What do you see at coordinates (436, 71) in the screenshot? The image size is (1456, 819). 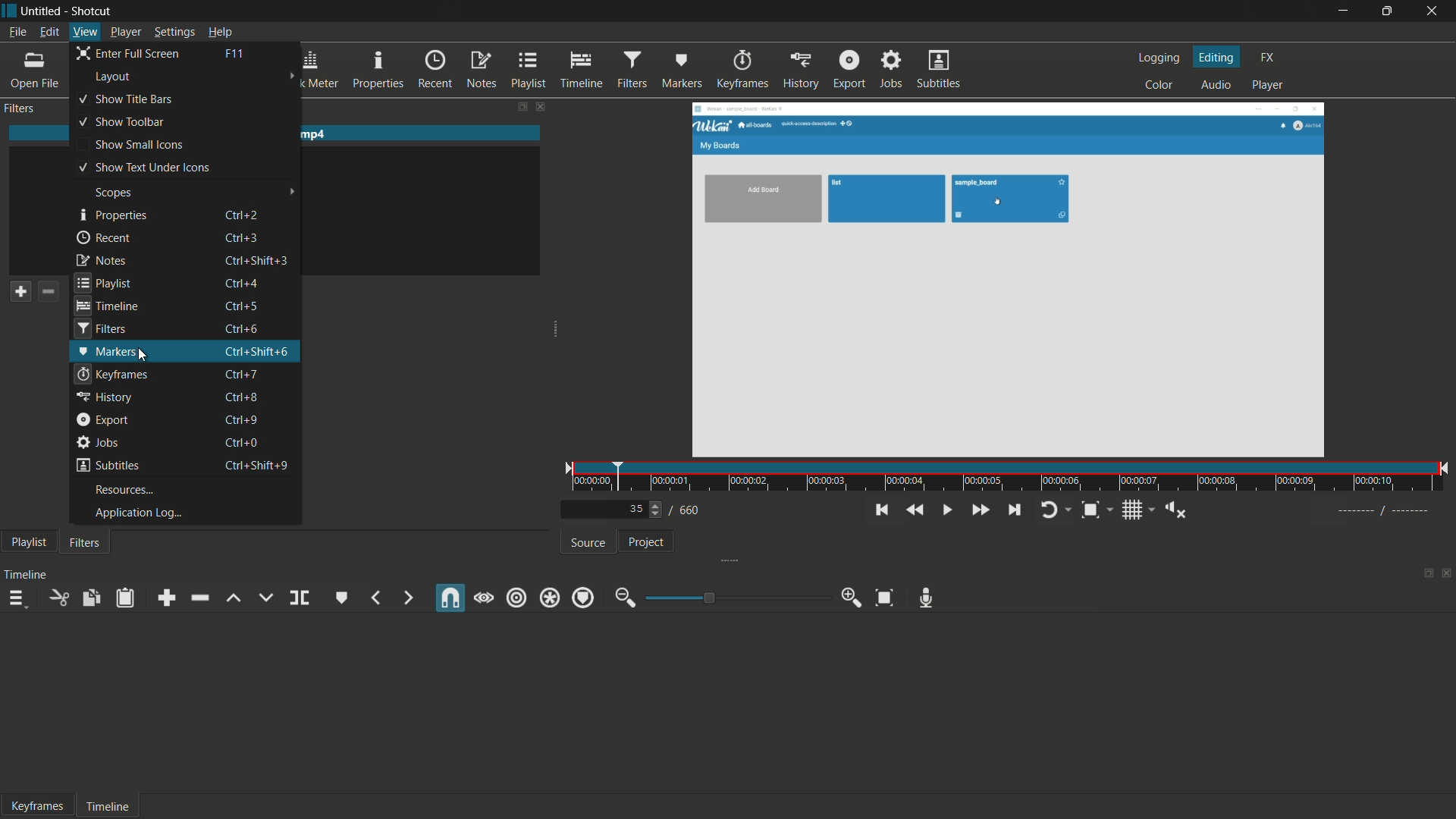 I see `recent` at bounding box center [436, 71].